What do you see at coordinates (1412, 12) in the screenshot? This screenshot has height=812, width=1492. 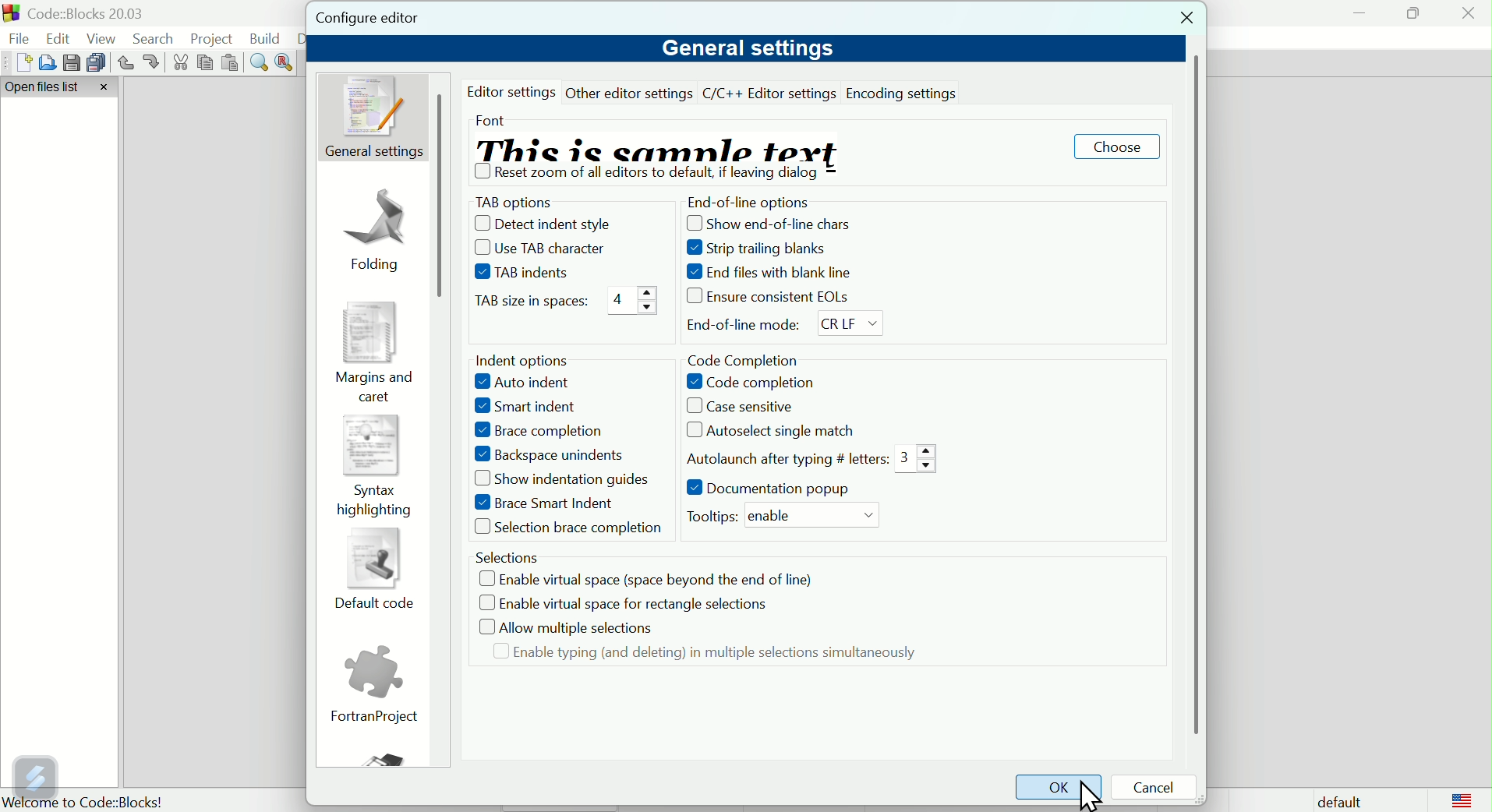 I see `maximise` at bounding box center [1412, 12].